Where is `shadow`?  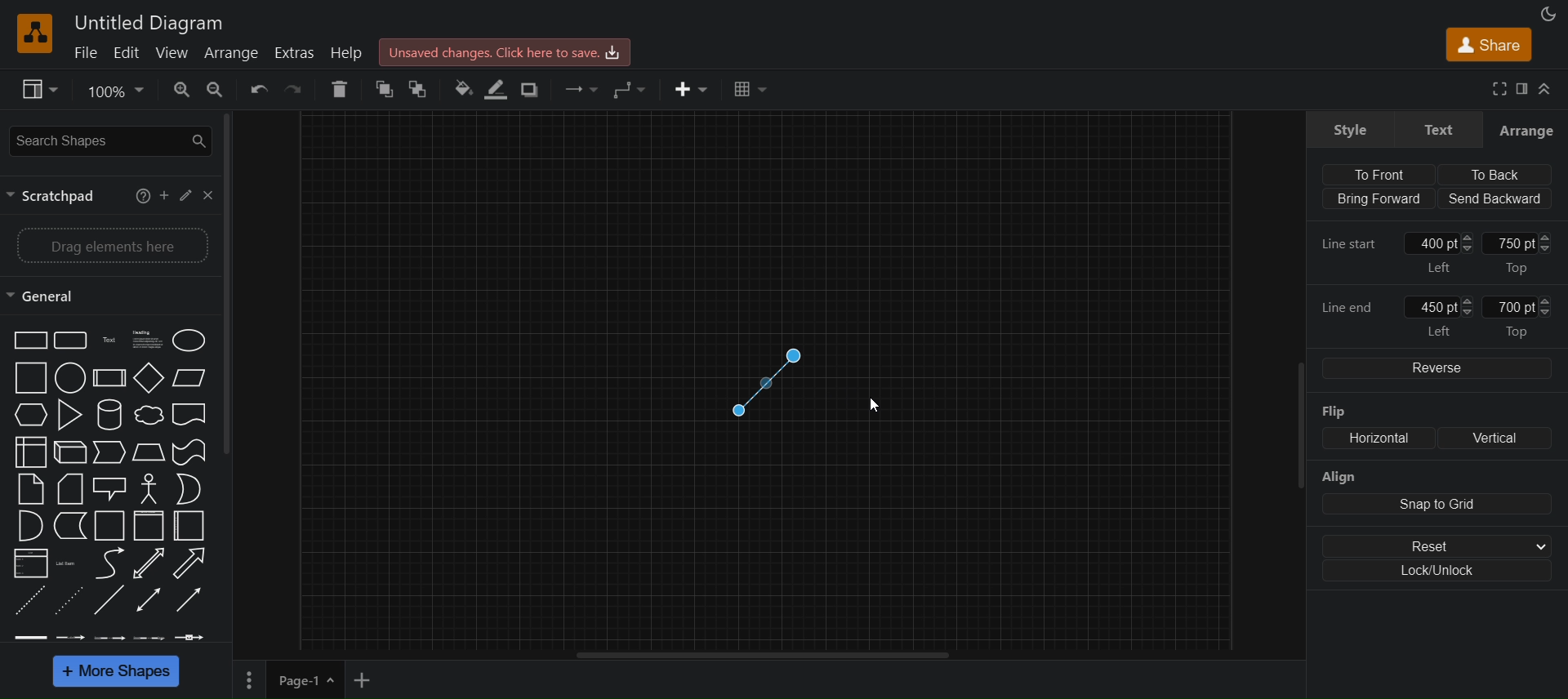 shadow is located at coordinates (528, 89).